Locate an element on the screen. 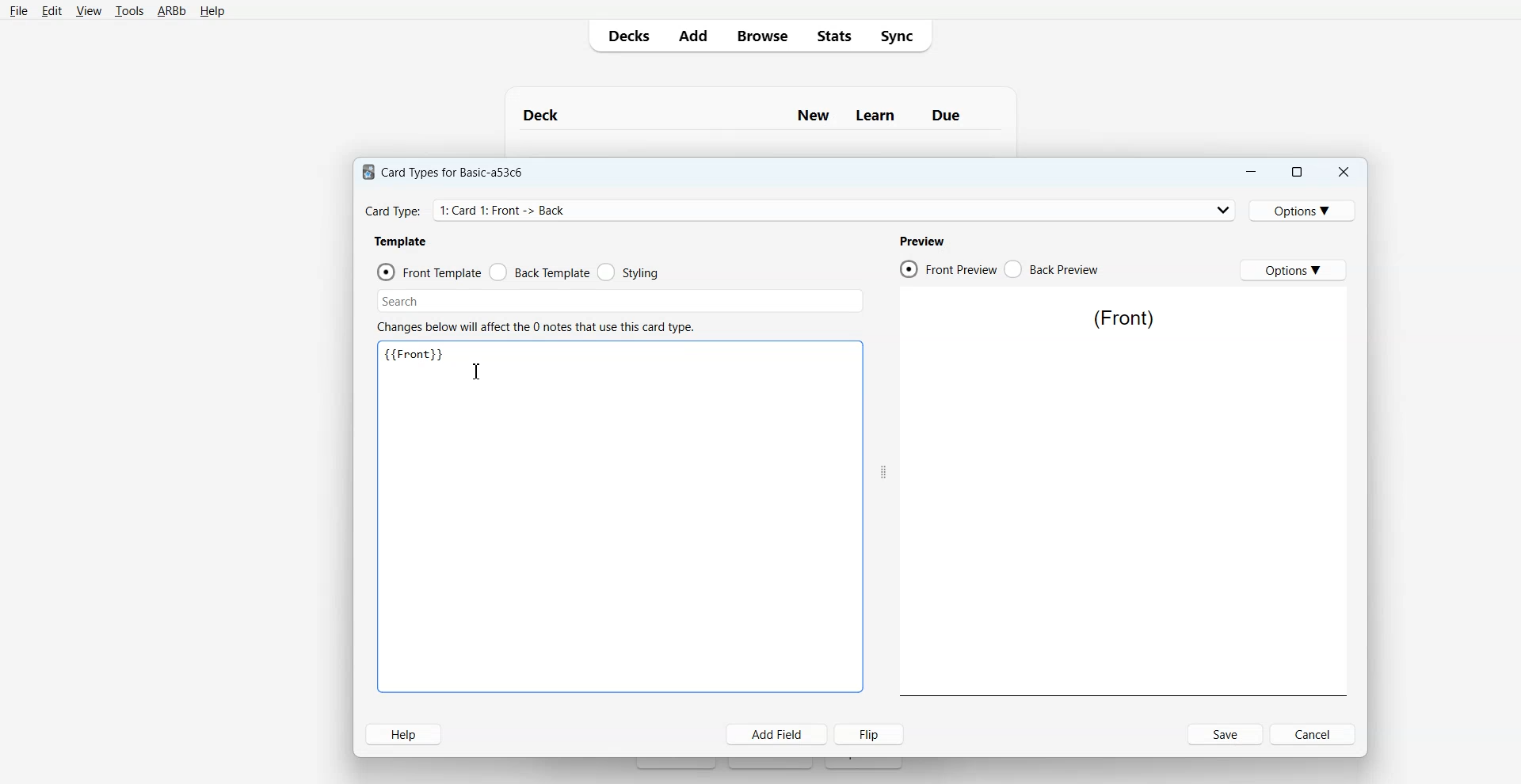  Sync is located at coordinates (902, 35).